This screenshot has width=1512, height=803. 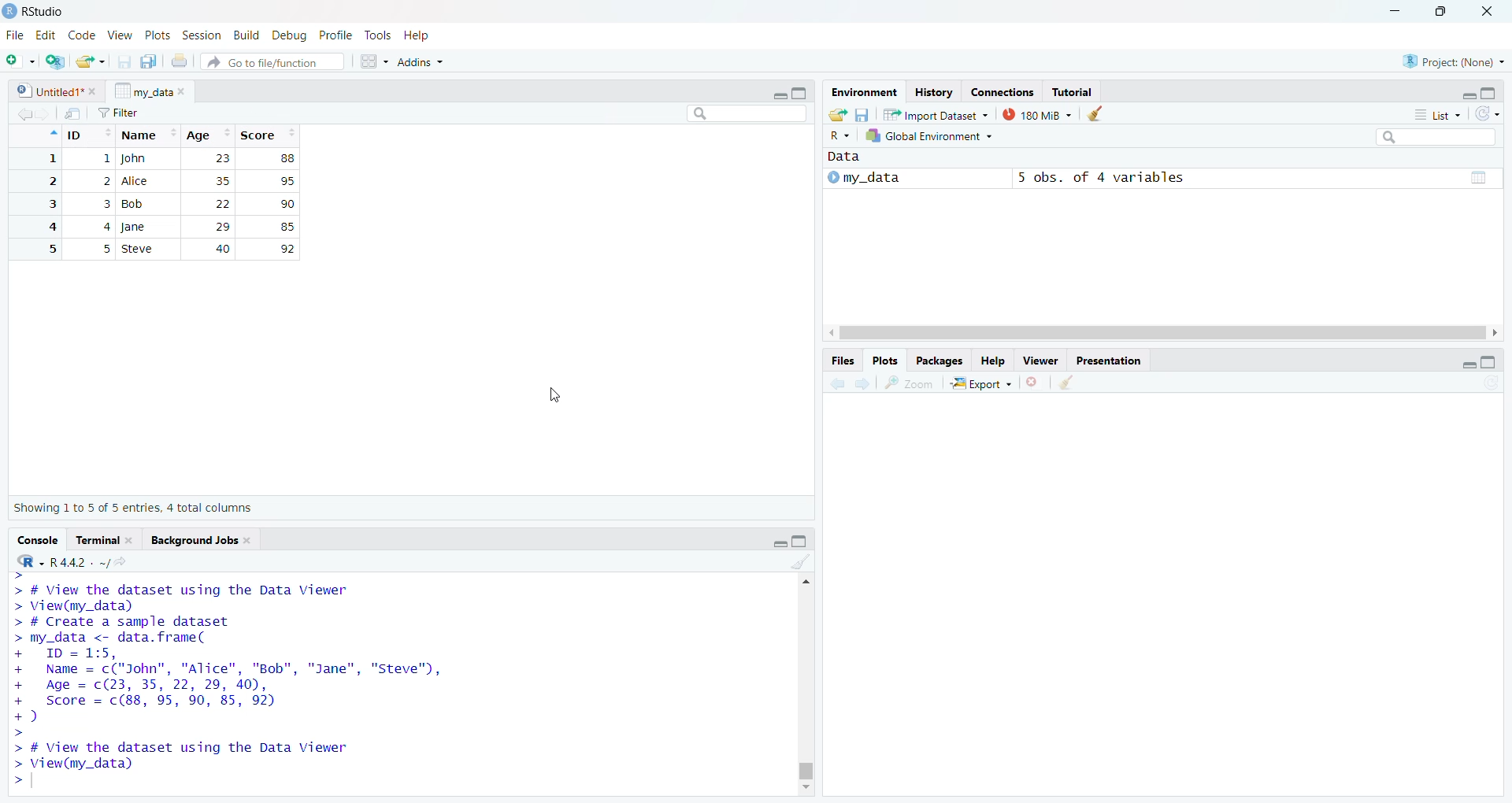 What do you see at coordinates (244, 680) in the screenshot?
I see `> # View the dataset using the Data Viewer
> View(my_data)

> # Create a sample dataset

> my_data <- data. frame(

+ ID = 1:5,

+ Name = c("John", "Alice", "Bob", "Jane", "Steve",
+ Age = c(23, 35, 22, 29, 40),

+ Score = c(88, 95, 90, 85, 92)

+)

>

> # View the dataset using the Data Viewer
> View(my_data)

>` at bounding box center [244, 680].